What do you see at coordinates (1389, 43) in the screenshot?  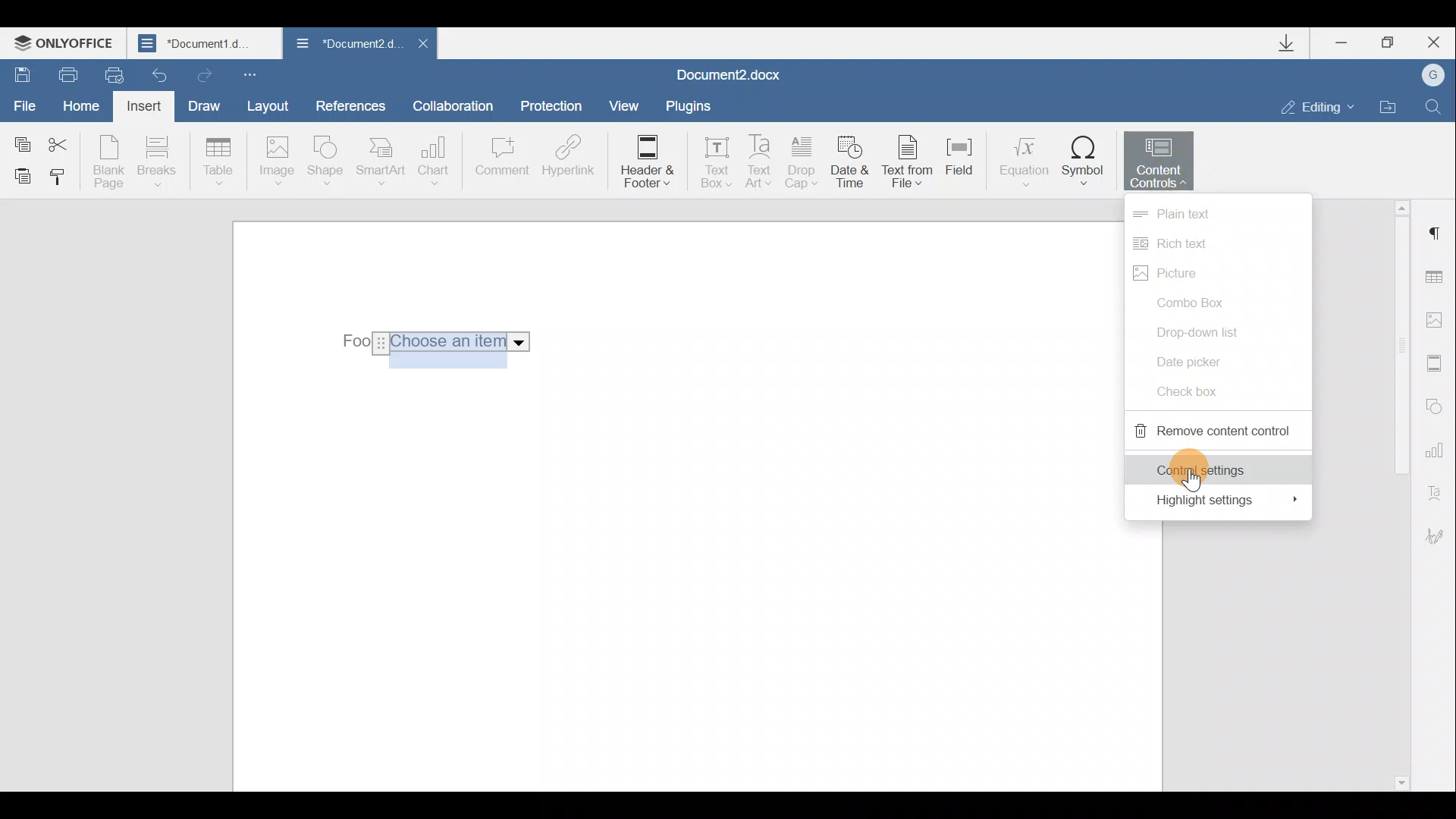 I see `Maximize` at bounding box center [1389, 43].